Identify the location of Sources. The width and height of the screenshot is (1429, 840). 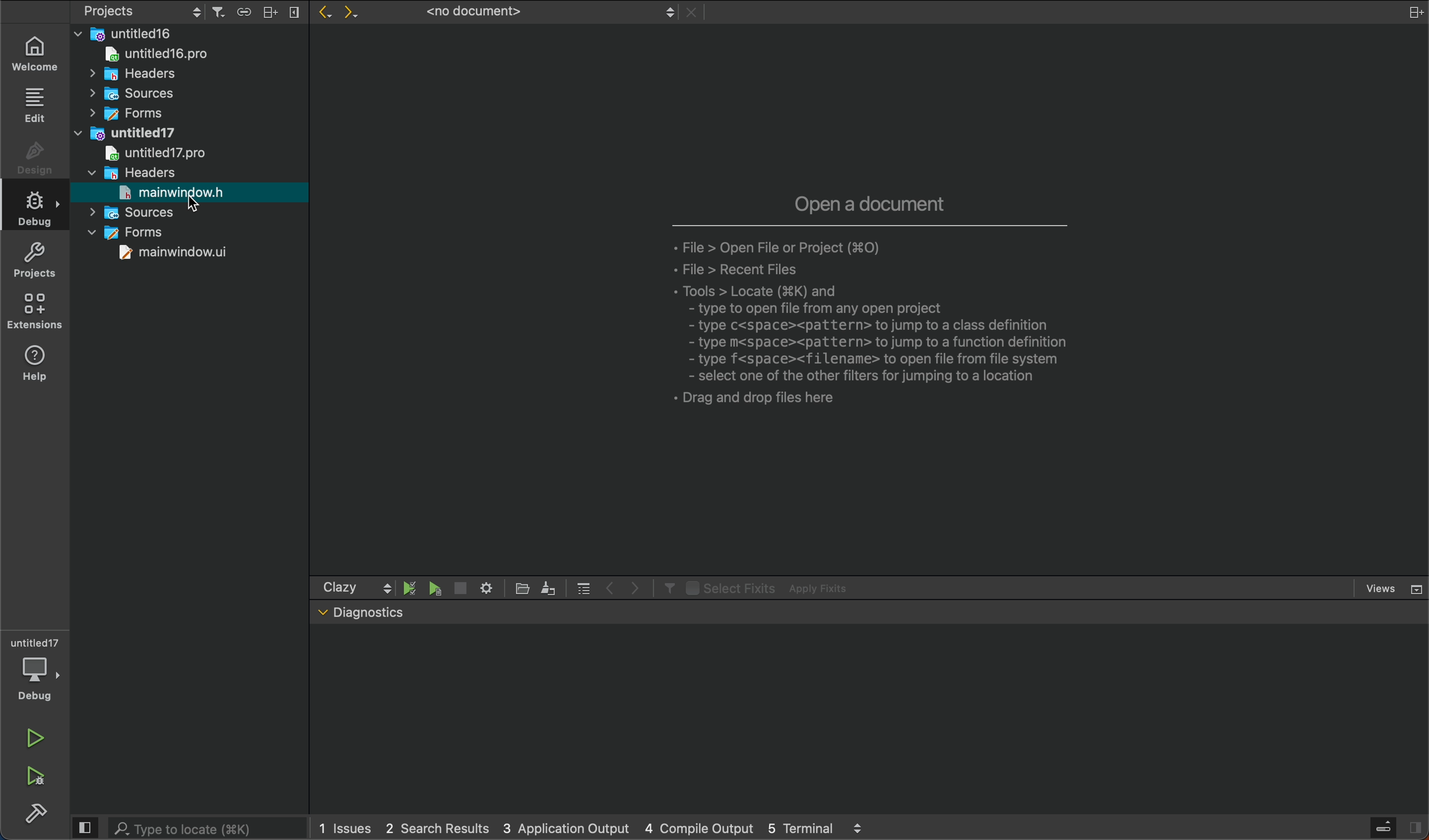
(129, 94).